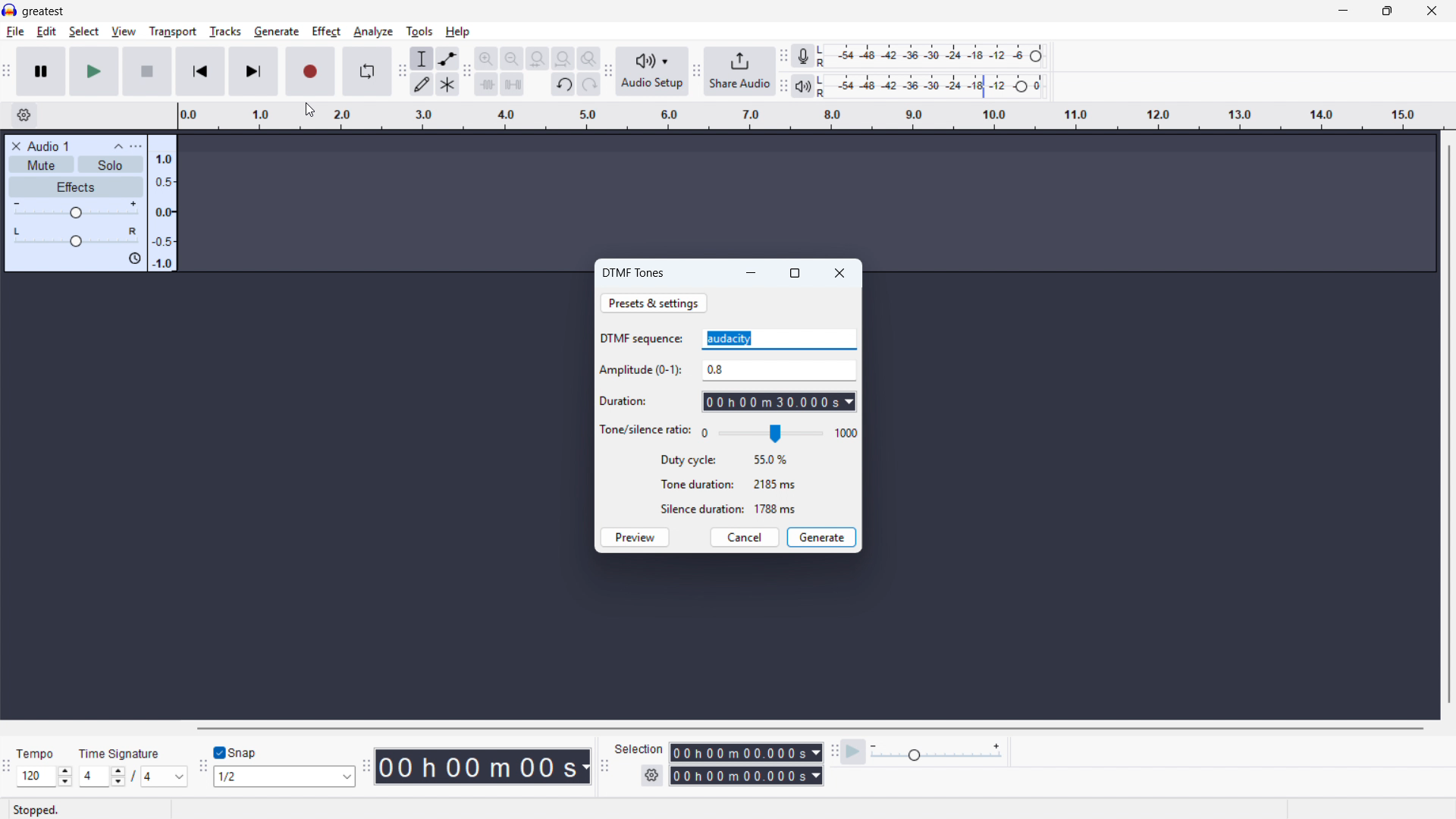  I want to click on time signature, so click(121, 753).